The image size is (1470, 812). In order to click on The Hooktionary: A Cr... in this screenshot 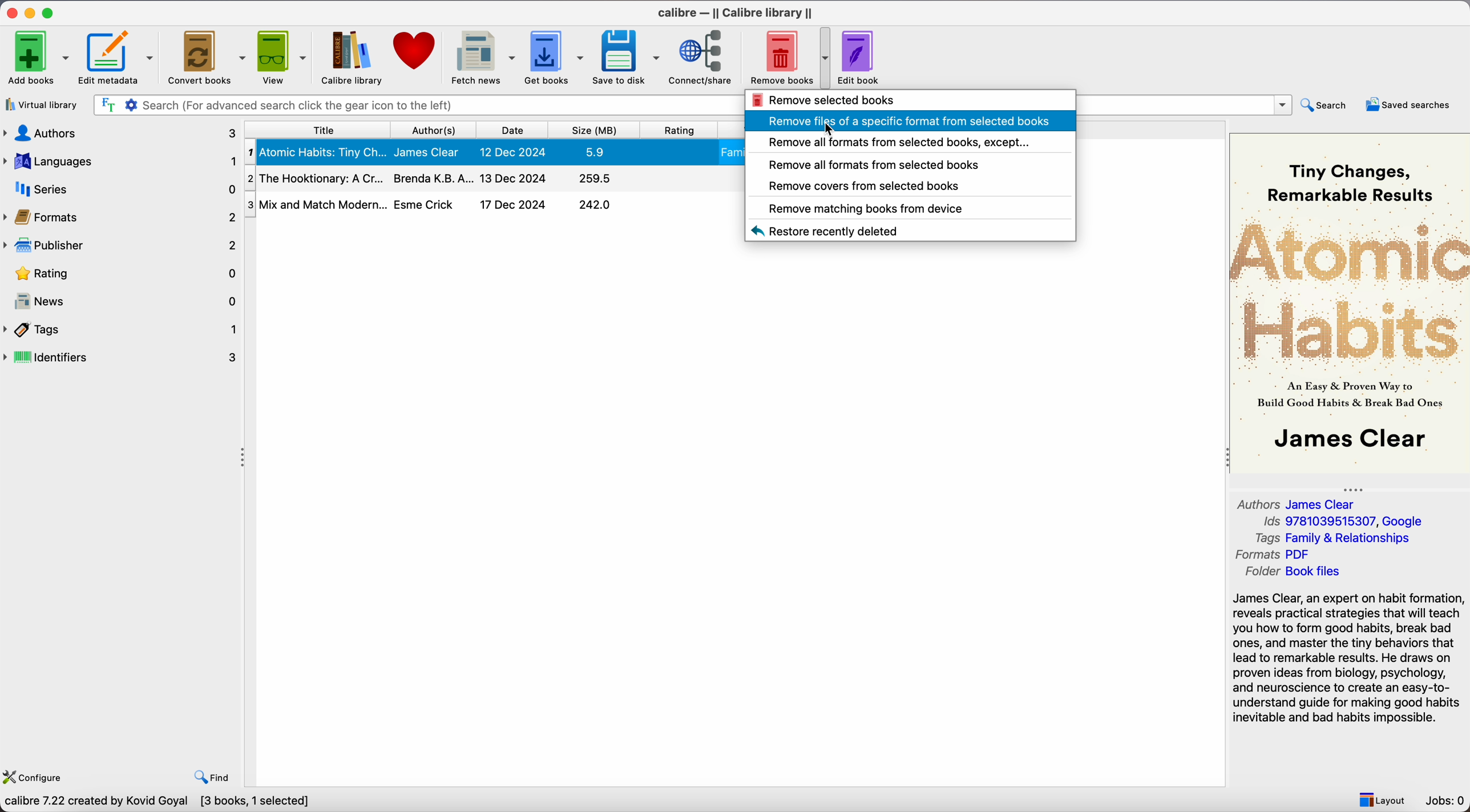, I will do `click(315, 177)`.